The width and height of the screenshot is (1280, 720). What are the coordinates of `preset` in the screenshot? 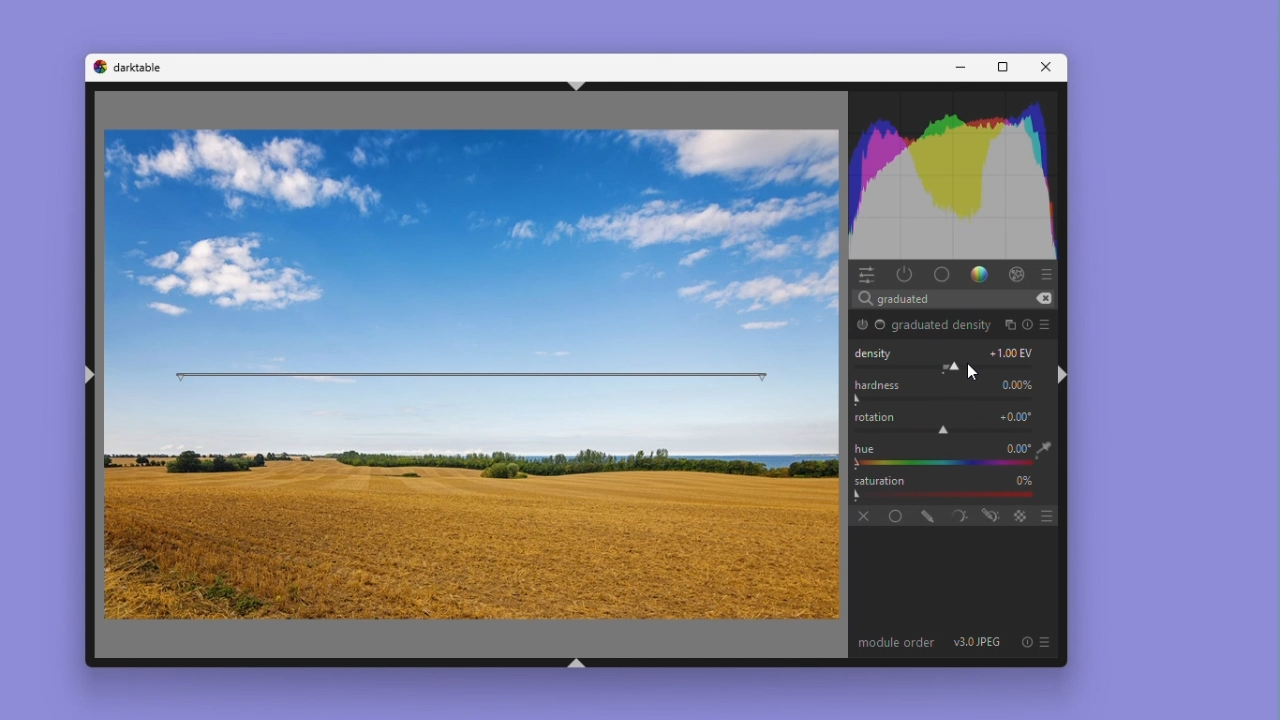 It's located at (1047, 642).